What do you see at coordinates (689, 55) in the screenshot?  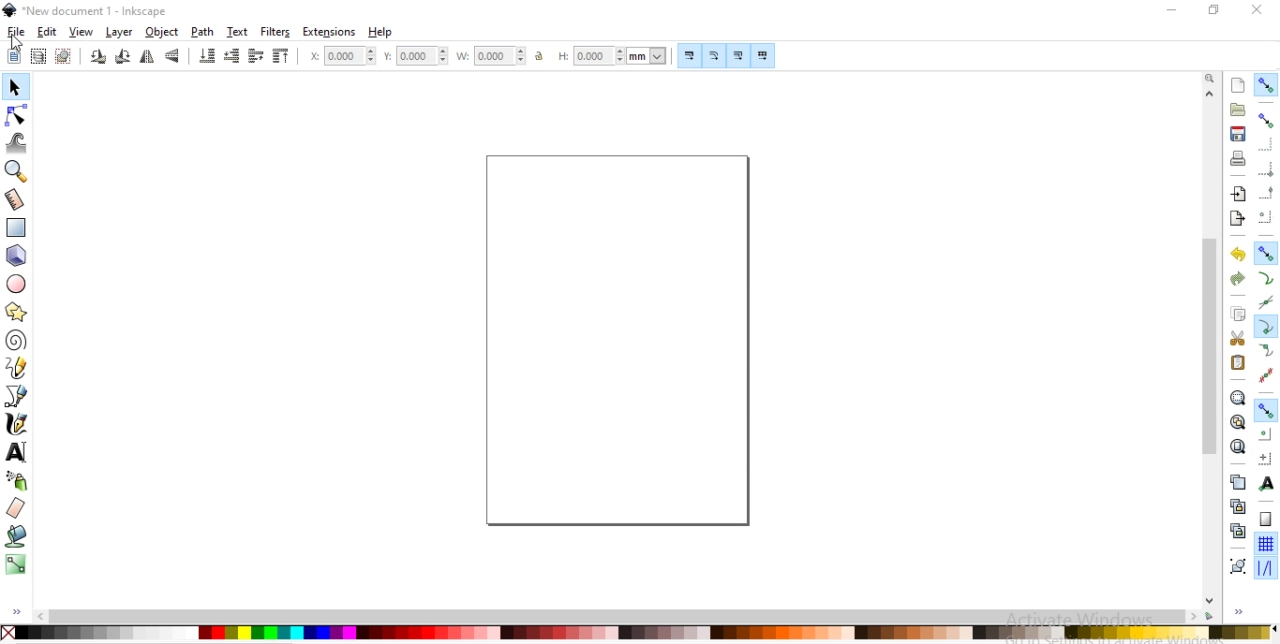 I see `scale stroke width by same proportion` at bounding box center [689, 55].